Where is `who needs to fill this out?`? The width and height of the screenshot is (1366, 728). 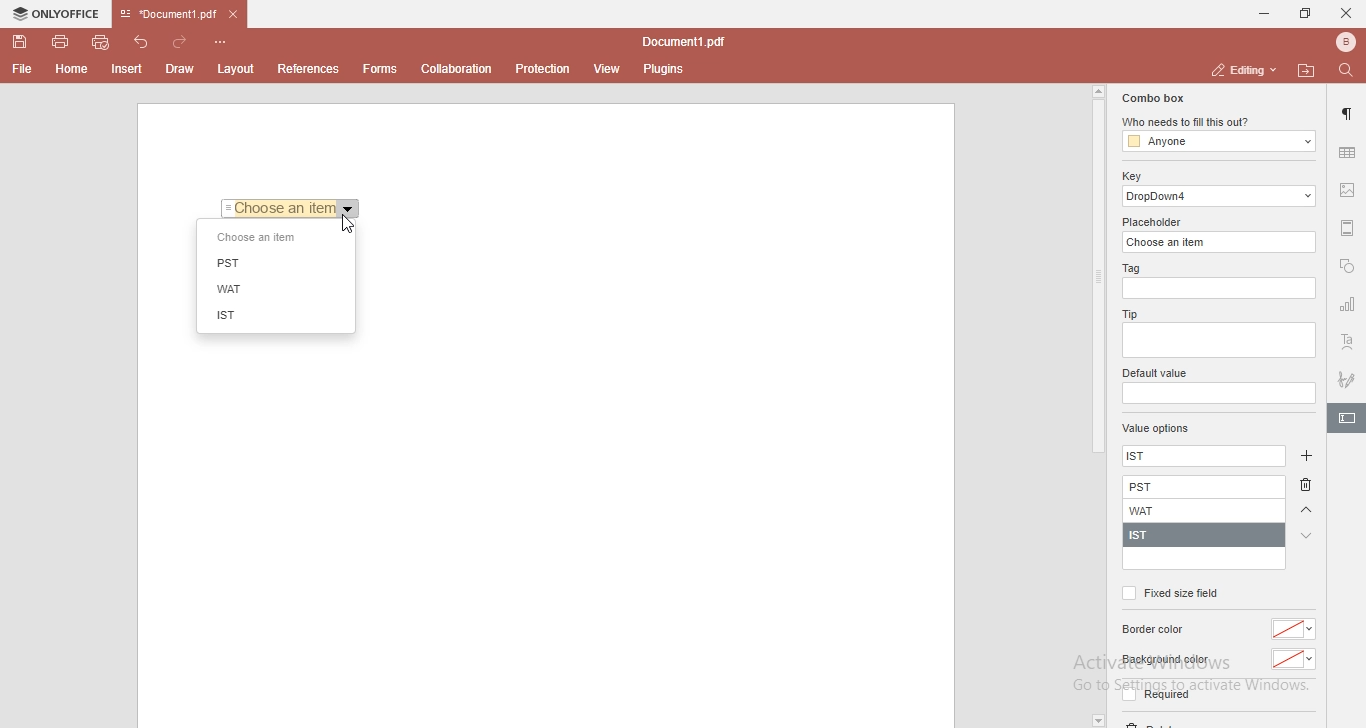 who needs to fill this out? is located at coordinates (1216, 123).